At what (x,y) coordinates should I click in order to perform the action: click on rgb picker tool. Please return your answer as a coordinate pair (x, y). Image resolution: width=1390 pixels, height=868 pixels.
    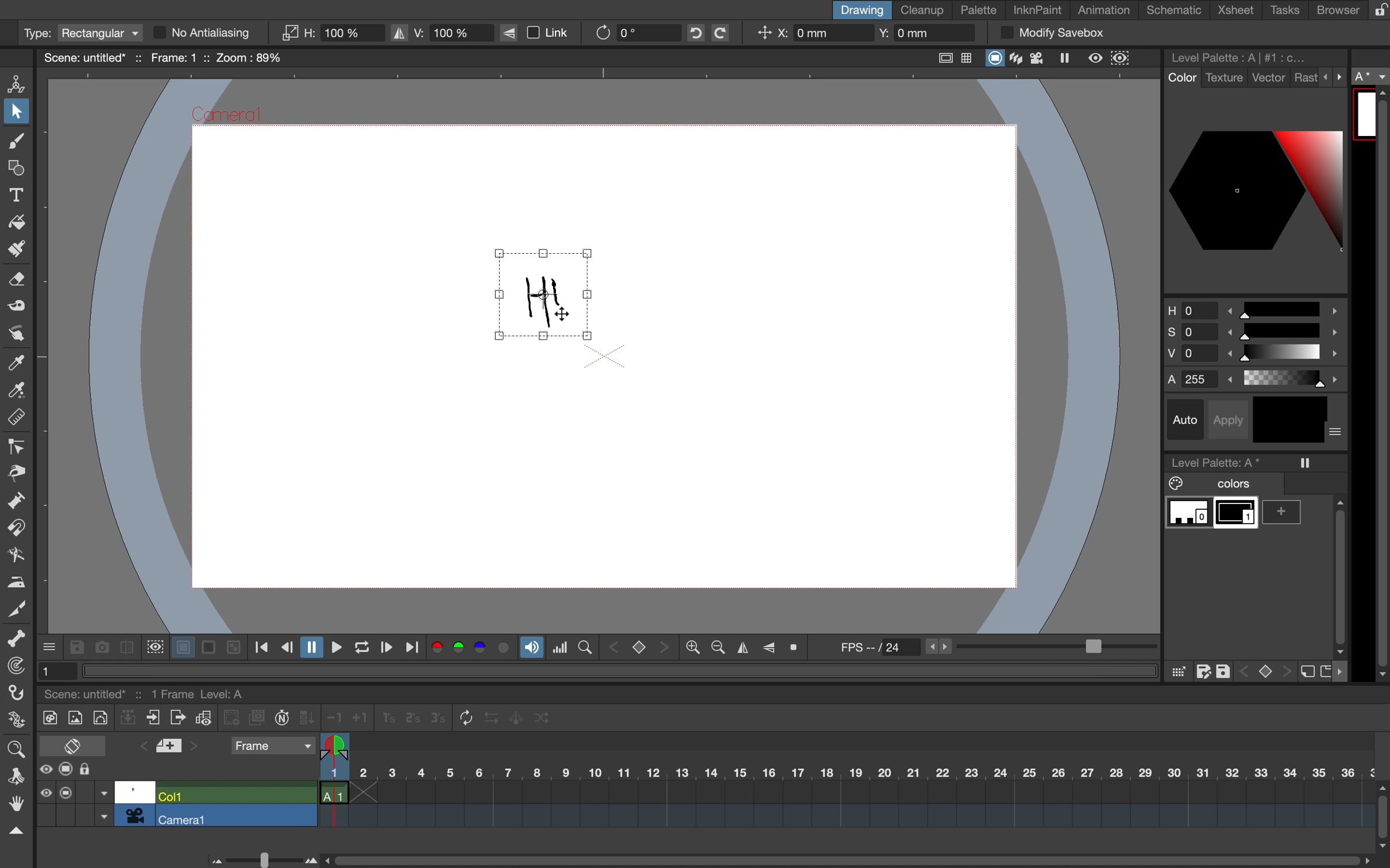
    Looking at the image, I should click on (14, 391).